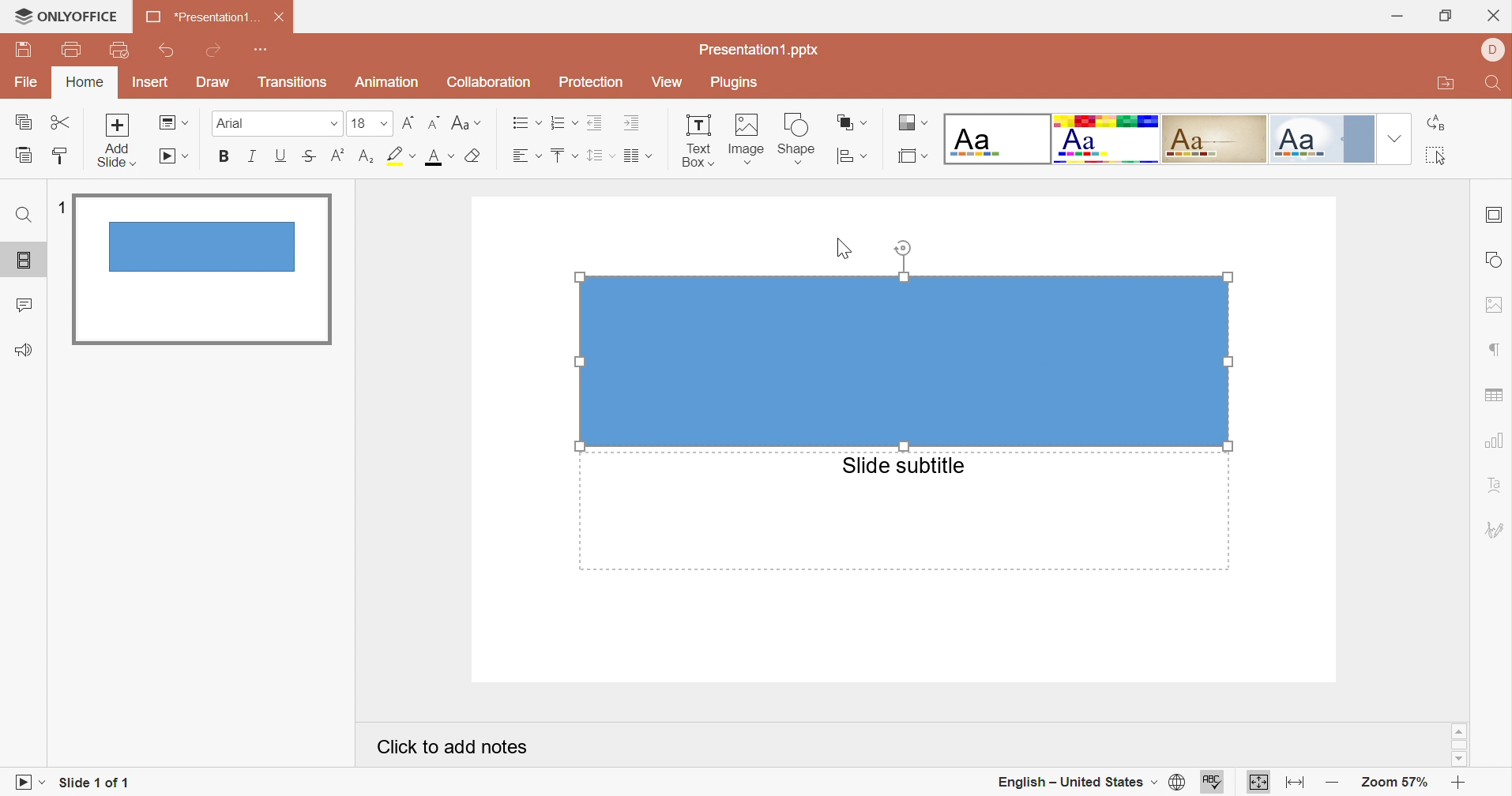 This screenshot has width=1512, height=796. What do you see at coordinates (66, 14) in the screenshot?
I see `ONLYOFFICE` at bounding box center [66, 14].